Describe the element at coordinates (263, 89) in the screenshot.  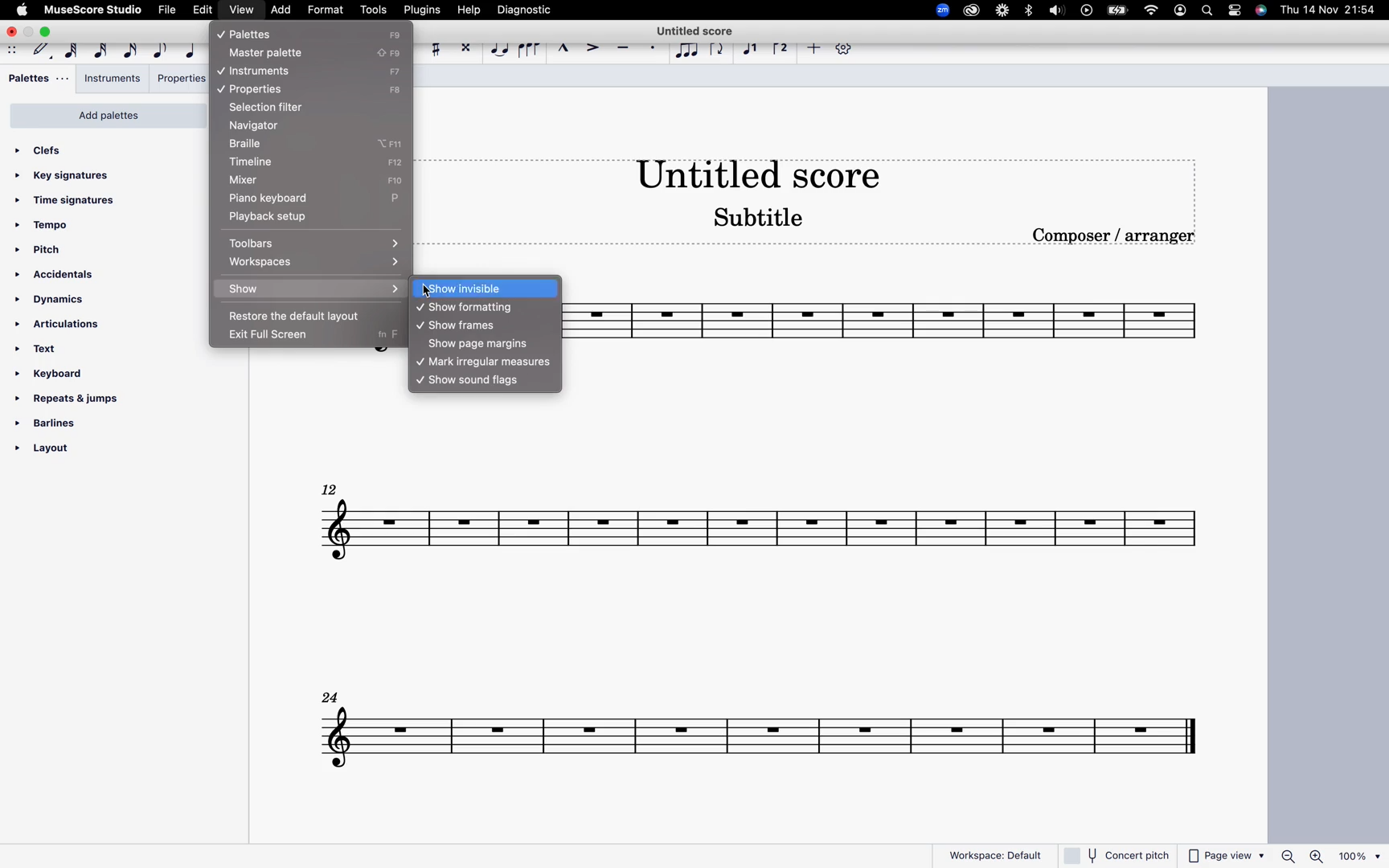
I see `properties` at that location.